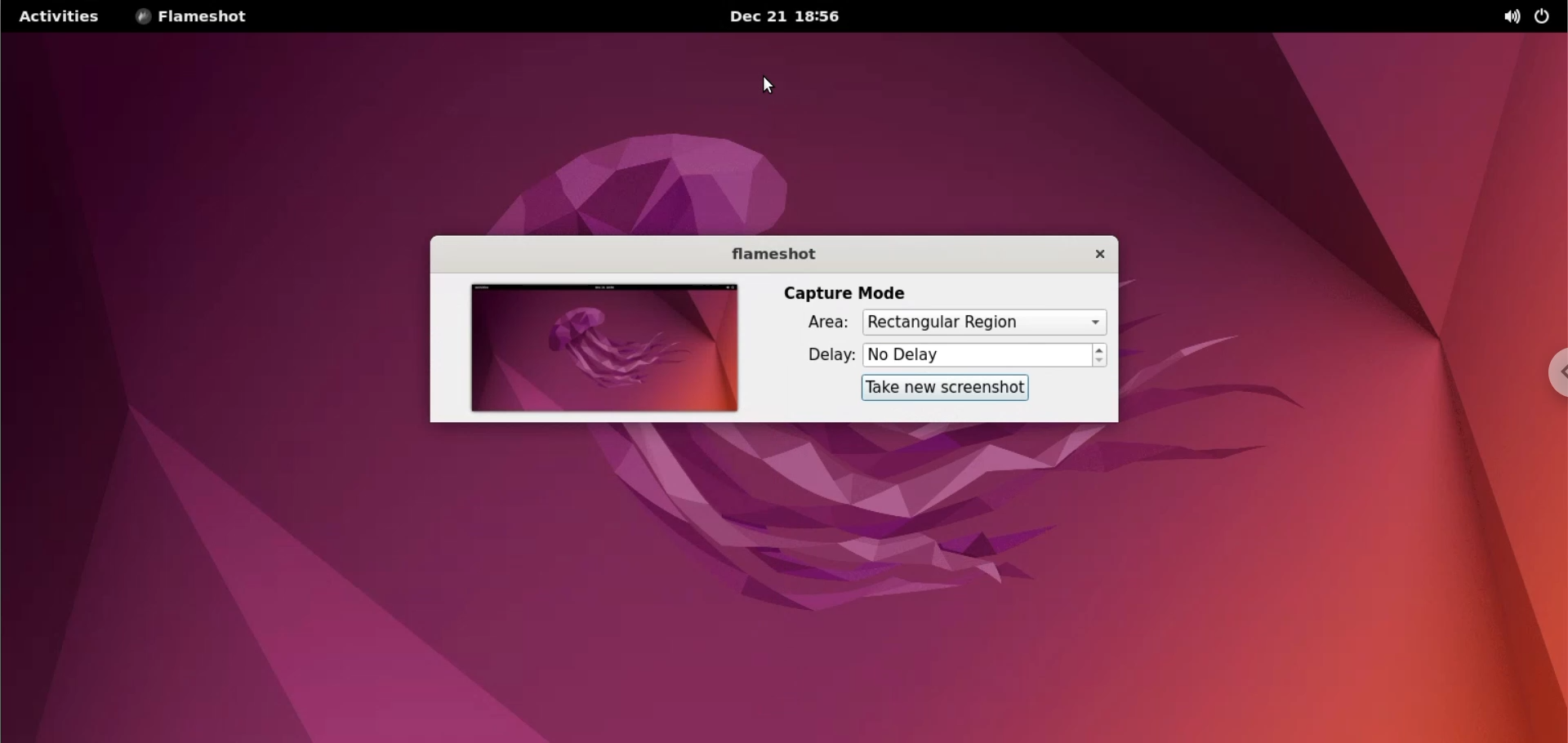 The height and width of the screenshot is (743, 1568). What do you see at coordinates (771, 90) in the screenshot?
I see `cursor ` at bounding box center [771, 90].